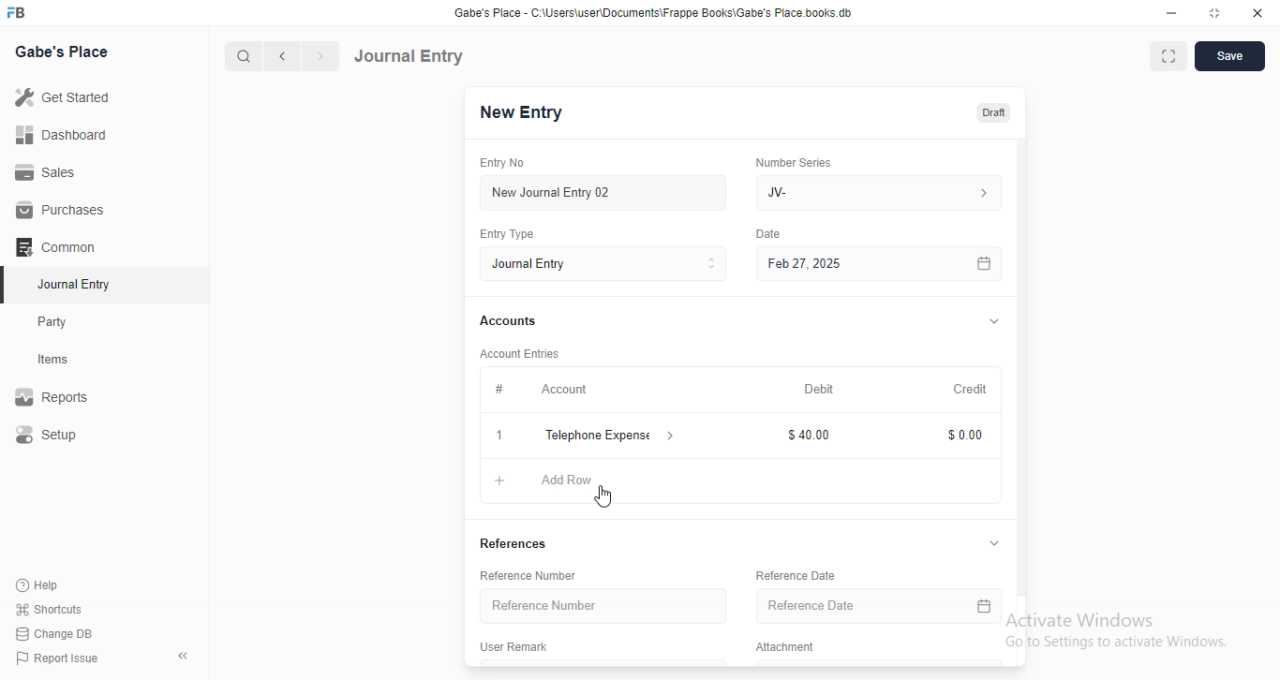 This screenshot has height=680, width=1280. Describe the element at coordinates (55, 360) in the screenshot. I see `Items` at that location.